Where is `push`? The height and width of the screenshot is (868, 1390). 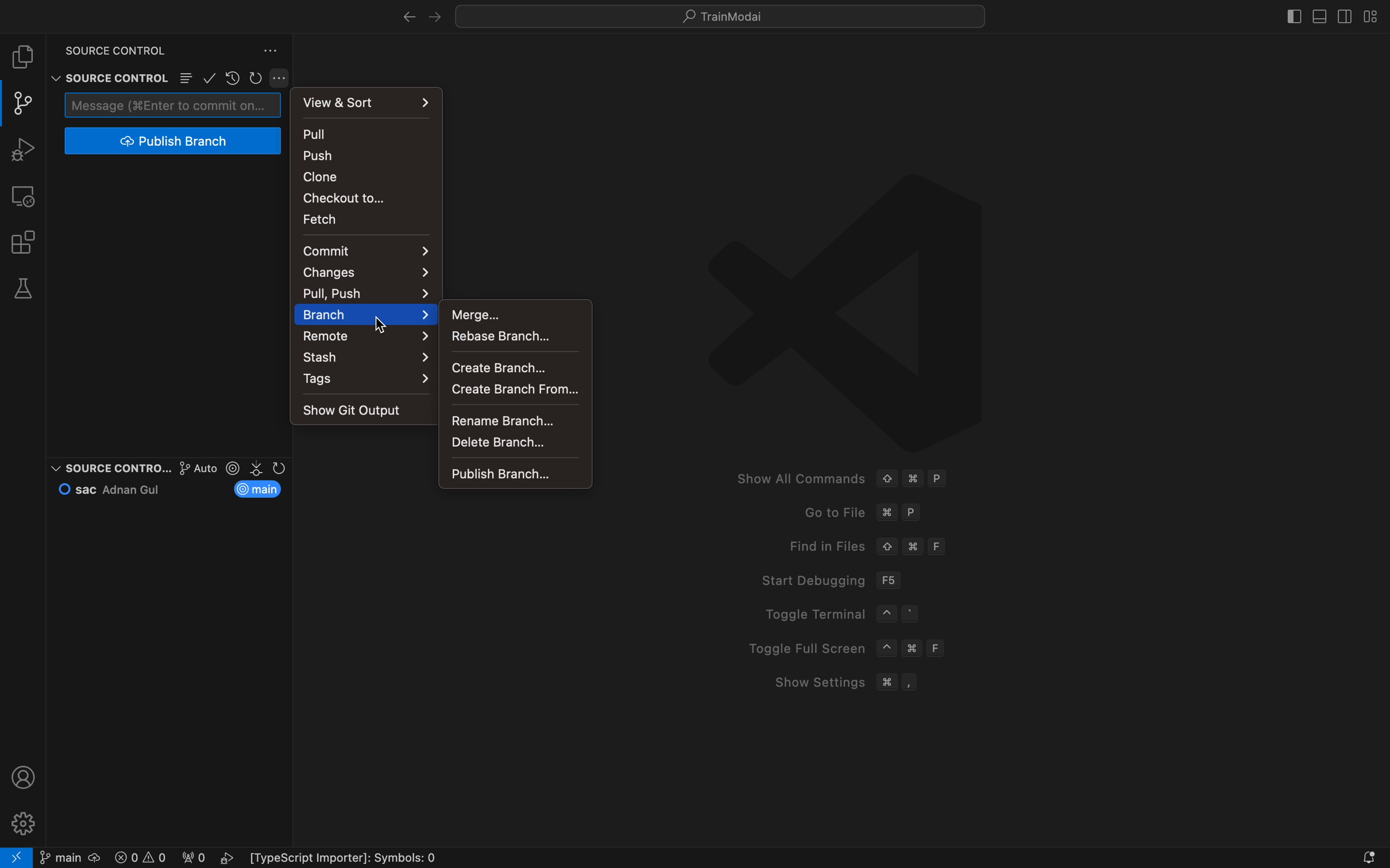 push is located at coordinates (368, 156).